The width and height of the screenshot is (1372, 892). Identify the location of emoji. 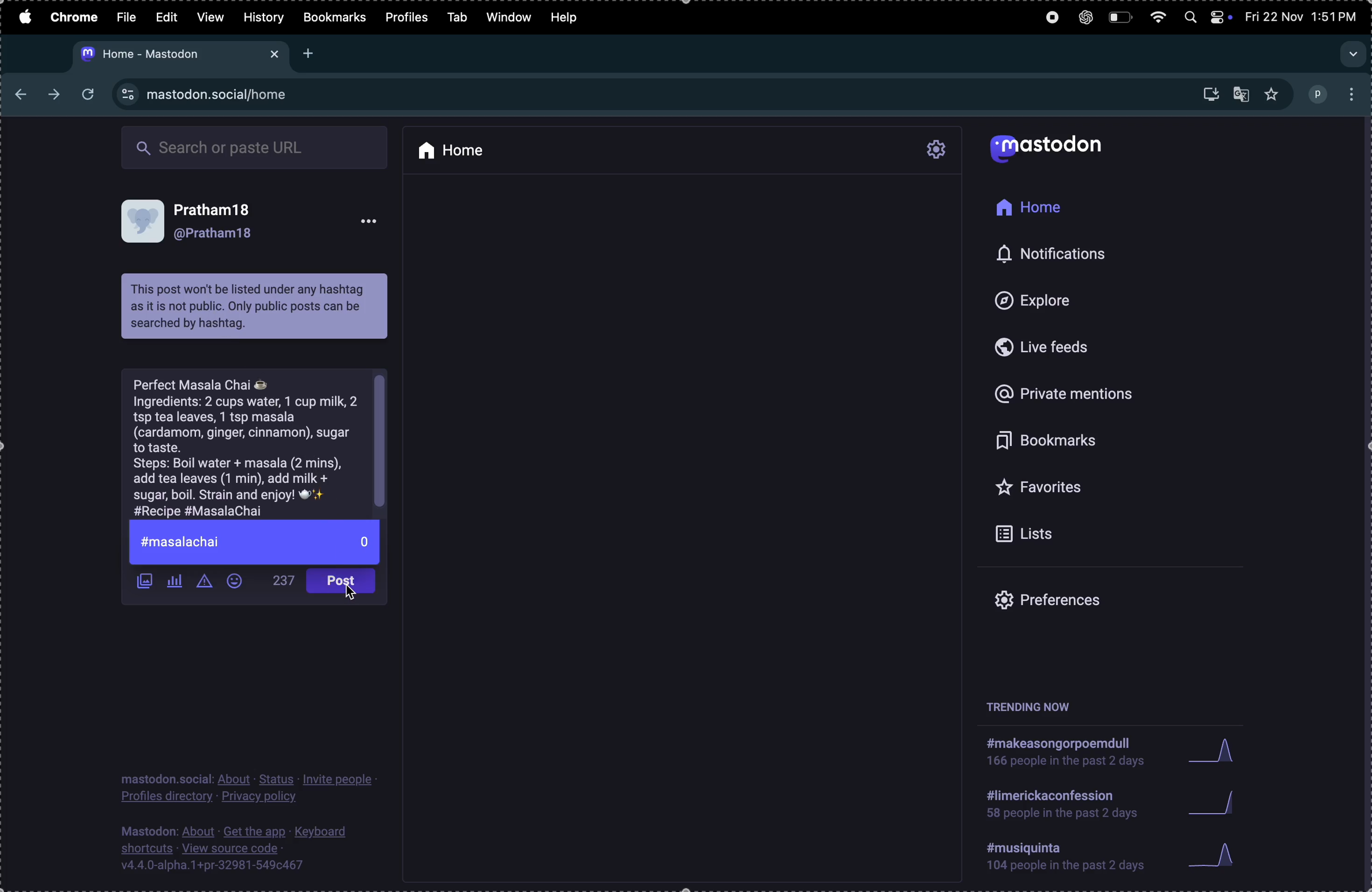
(239, 584).